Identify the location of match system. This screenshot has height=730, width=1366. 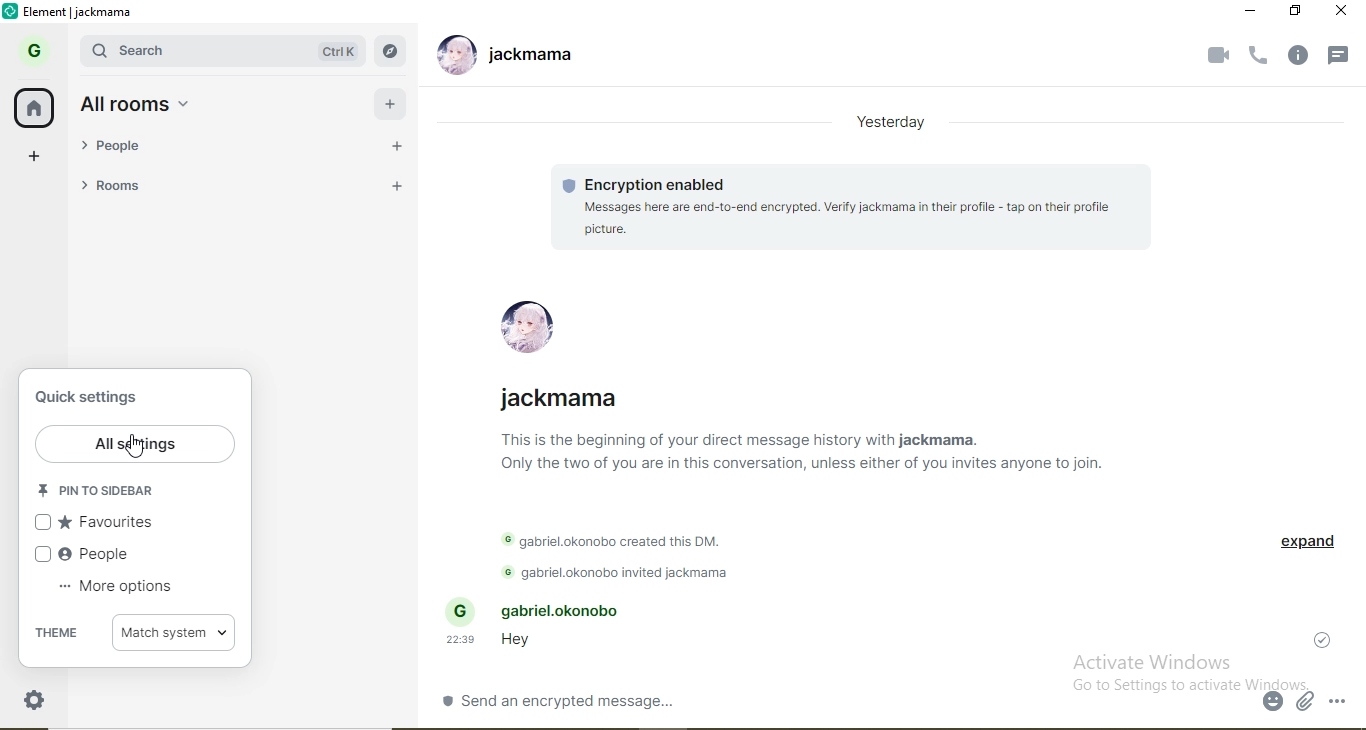
(175, 632).